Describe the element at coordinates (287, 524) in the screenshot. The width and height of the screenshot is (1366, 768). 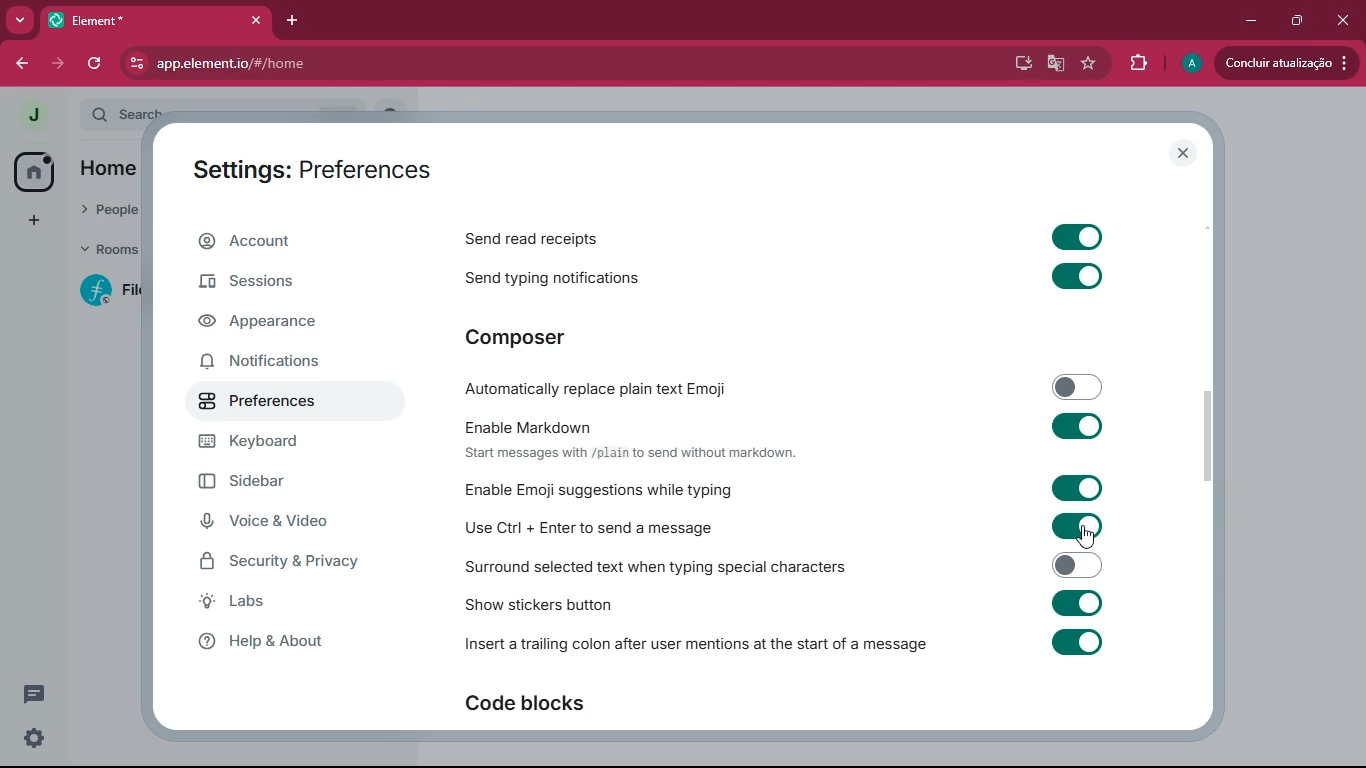
I see `voice` at that location.